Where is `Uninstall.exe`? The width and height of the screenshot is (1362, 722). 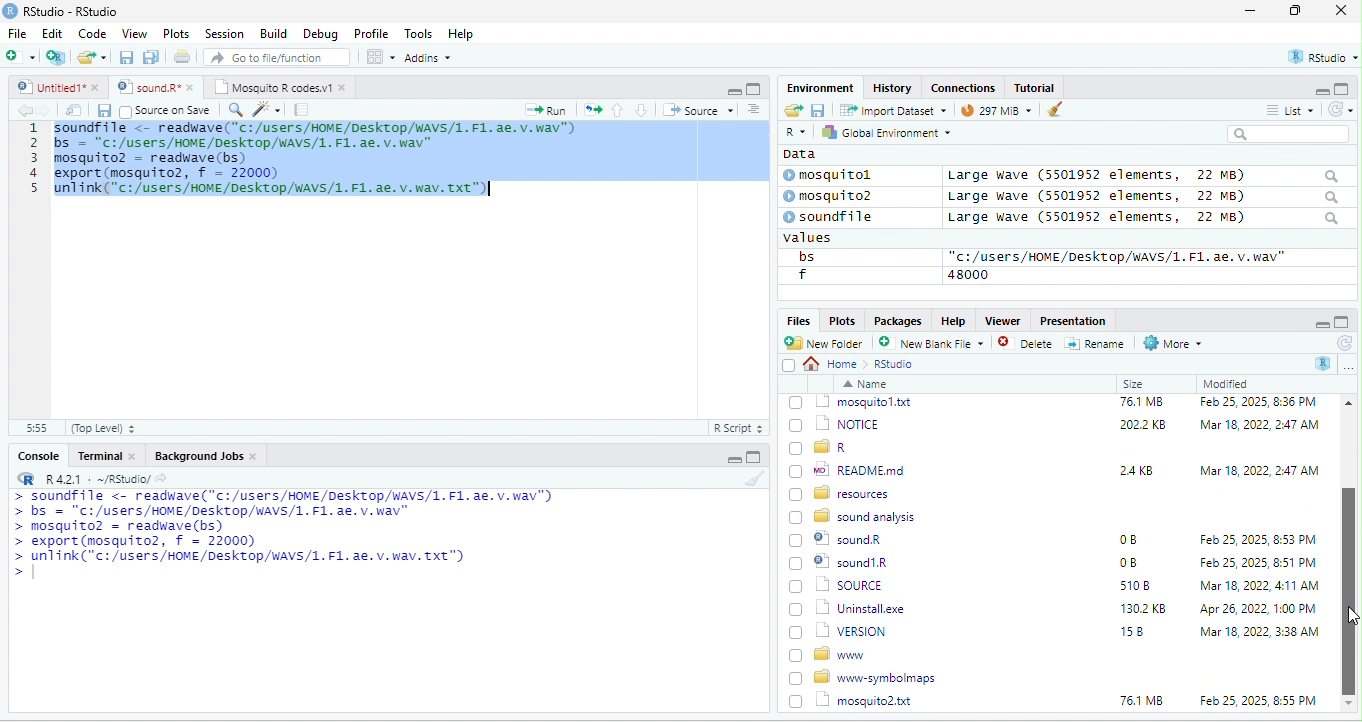
Uninstall.exe is located at coordinates (849, 703).